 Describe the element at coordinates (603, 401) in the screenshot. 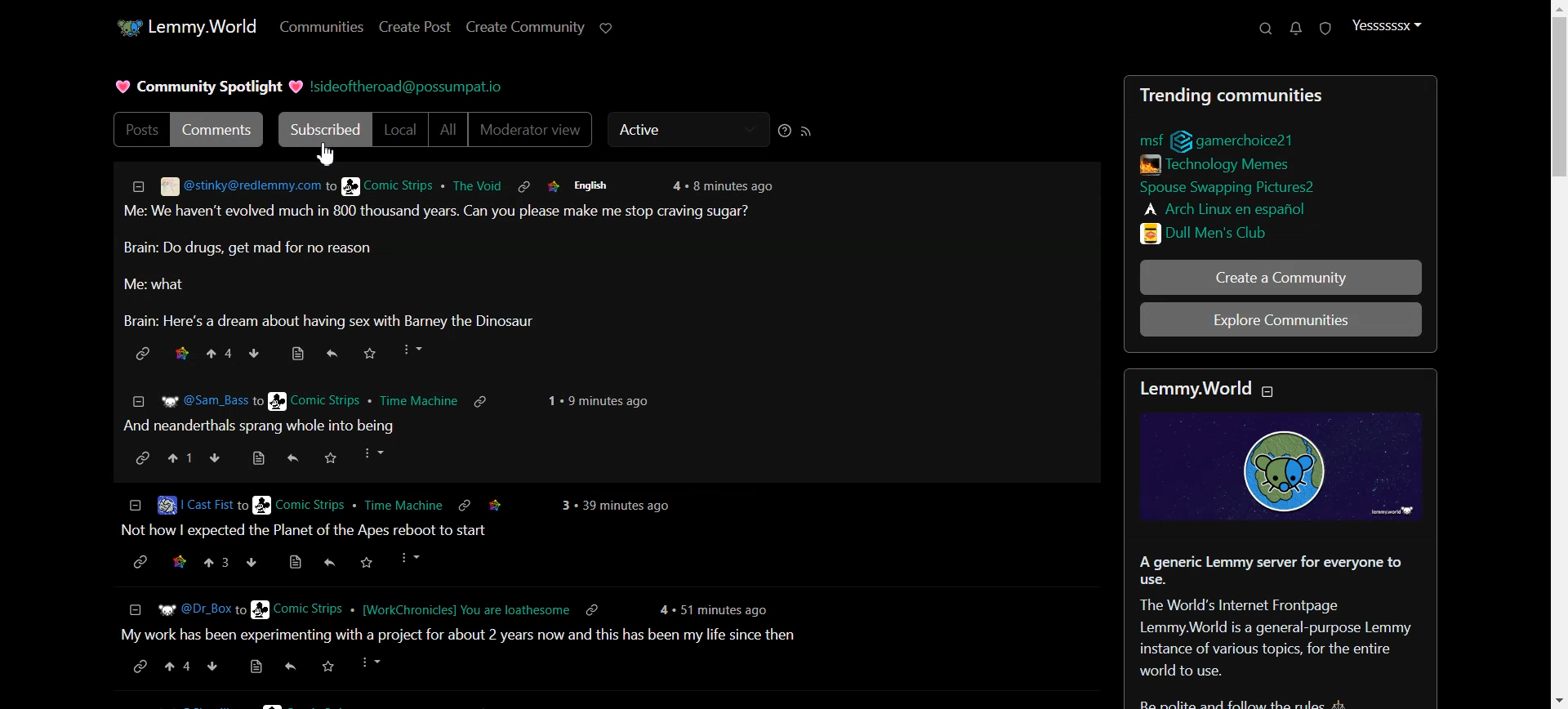

I see `time` at that location.